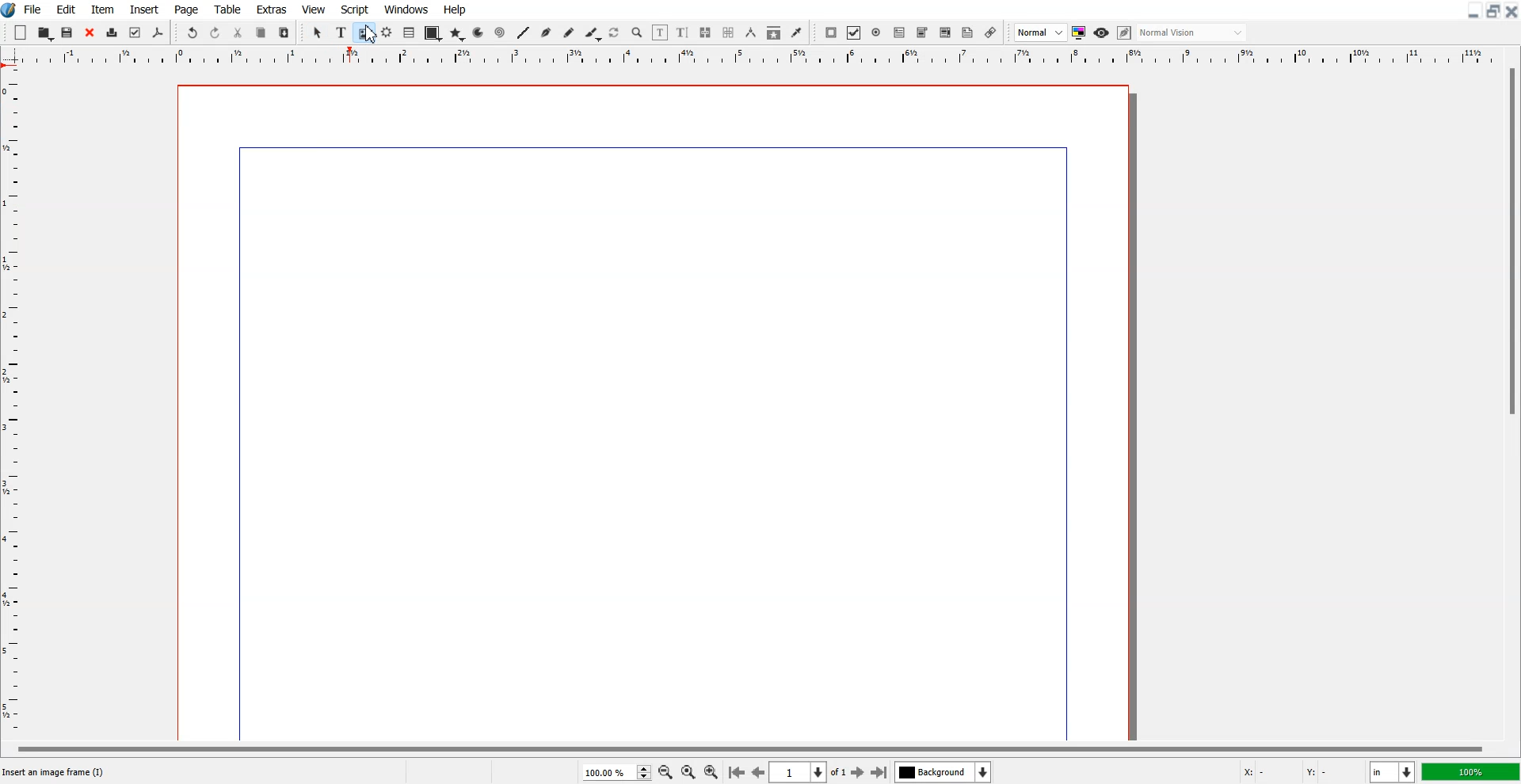 The image size is (1521, 784). What do you see at coordinates (712, 771) in the screenshot?
I see `Zoom In` at bounding box center [712, 771].